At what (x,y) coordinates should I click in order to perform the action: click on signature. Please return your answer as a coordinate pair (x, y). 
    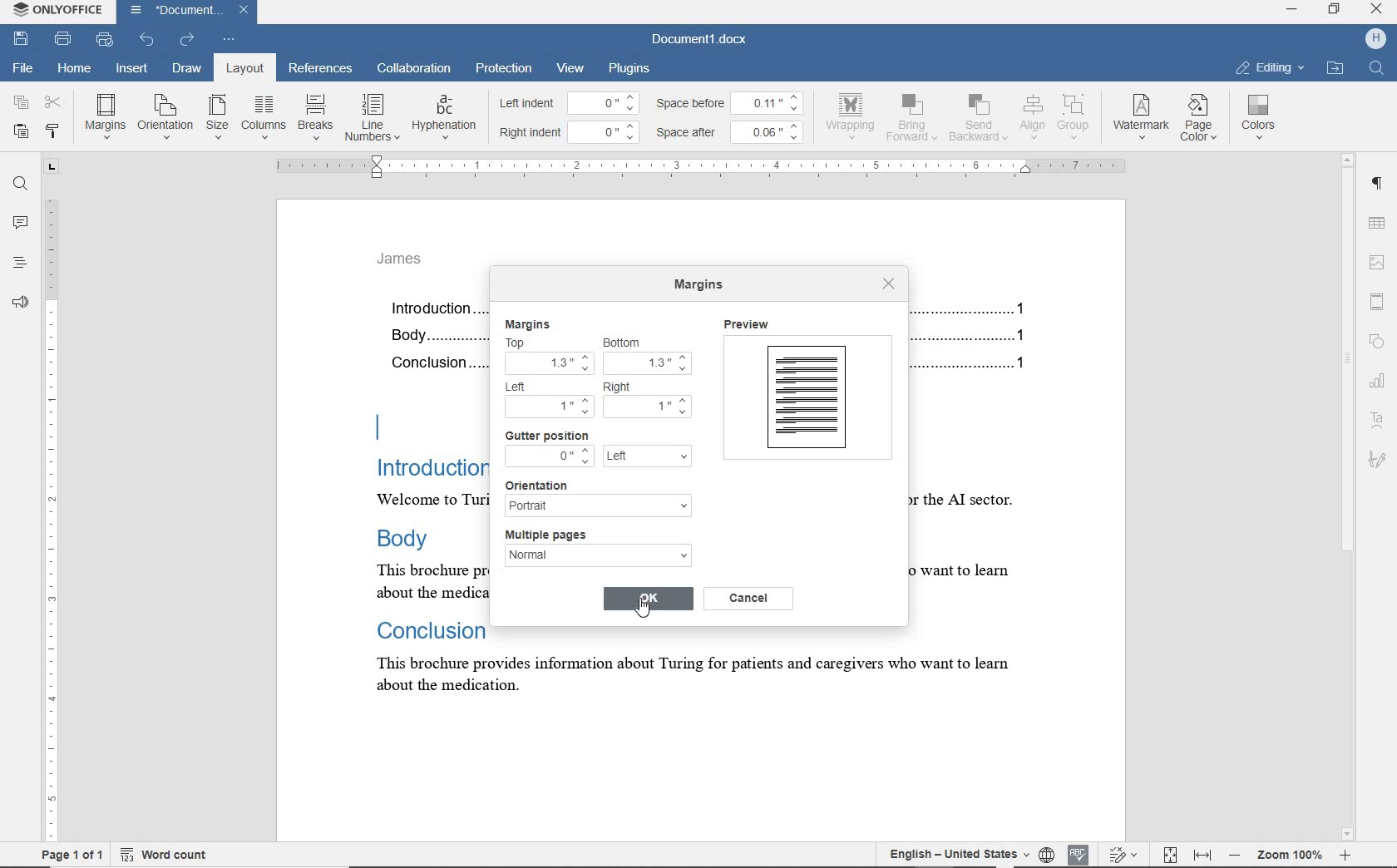
    Looking at the image, I should click on (1376, 458).